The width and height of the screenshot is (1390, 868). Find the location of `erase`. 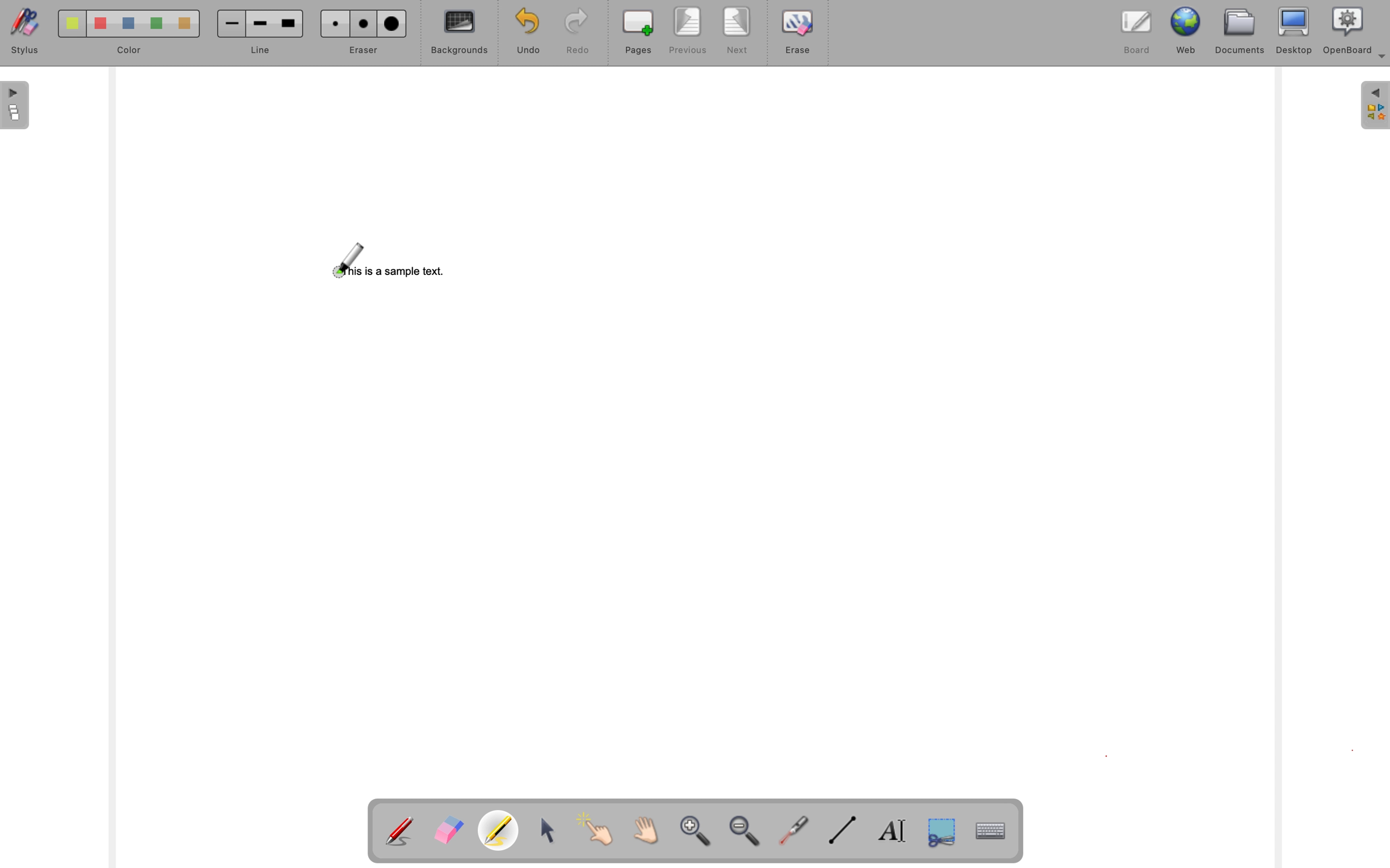

erase is located at coordinates (798, 33).